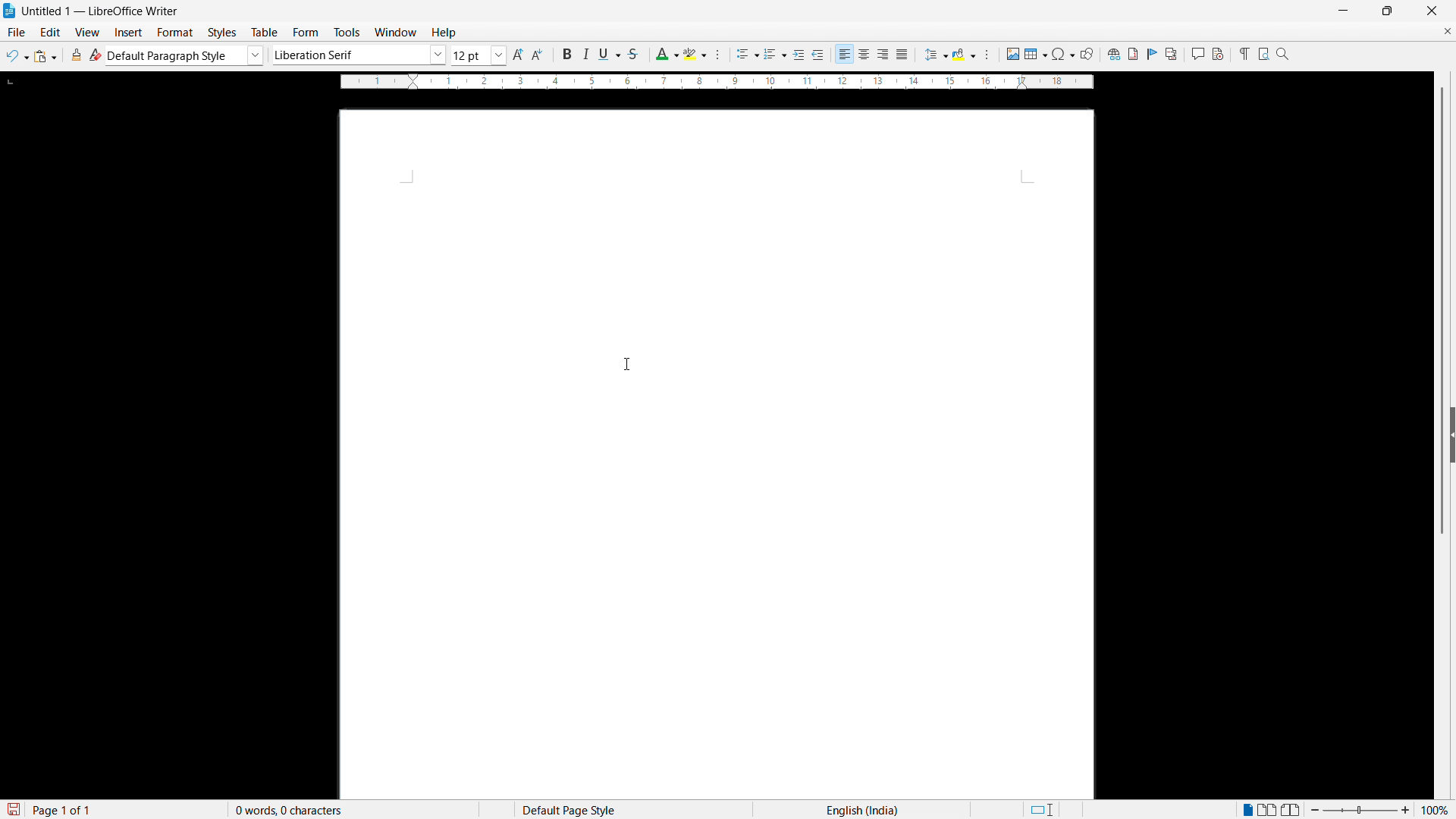 Image resolution: width=1456 pixels, height=819 pixels. Describe the element at coordinates (1218, 54) in the screenshot. I see `Record track changes ` at that location.